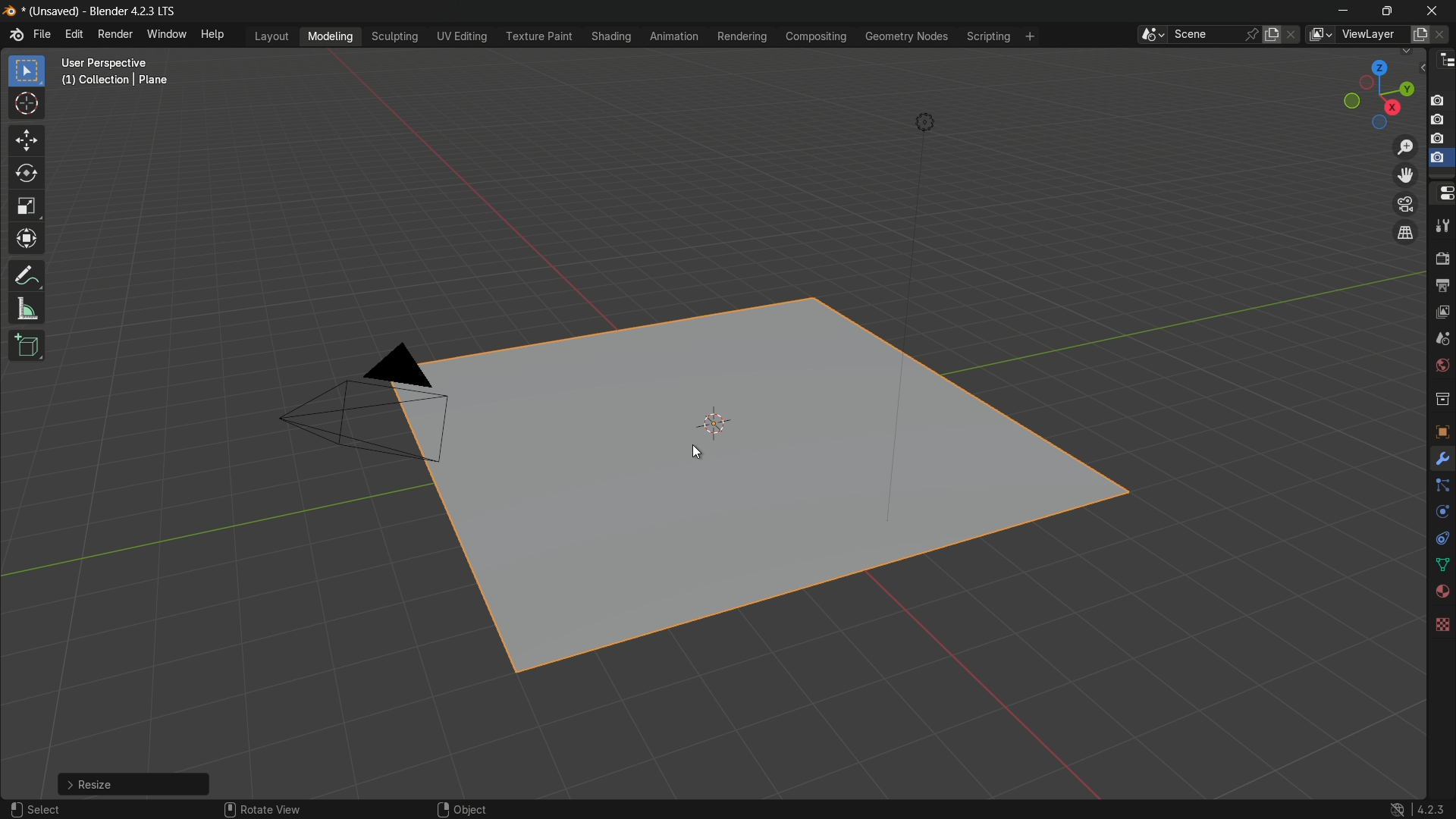 Image resolution: width=1456 pixels, height=819 pixels. What do you see at coordinates (684, 460) in the screenshot?
I see `cursor` at bounding box center [684, 460].